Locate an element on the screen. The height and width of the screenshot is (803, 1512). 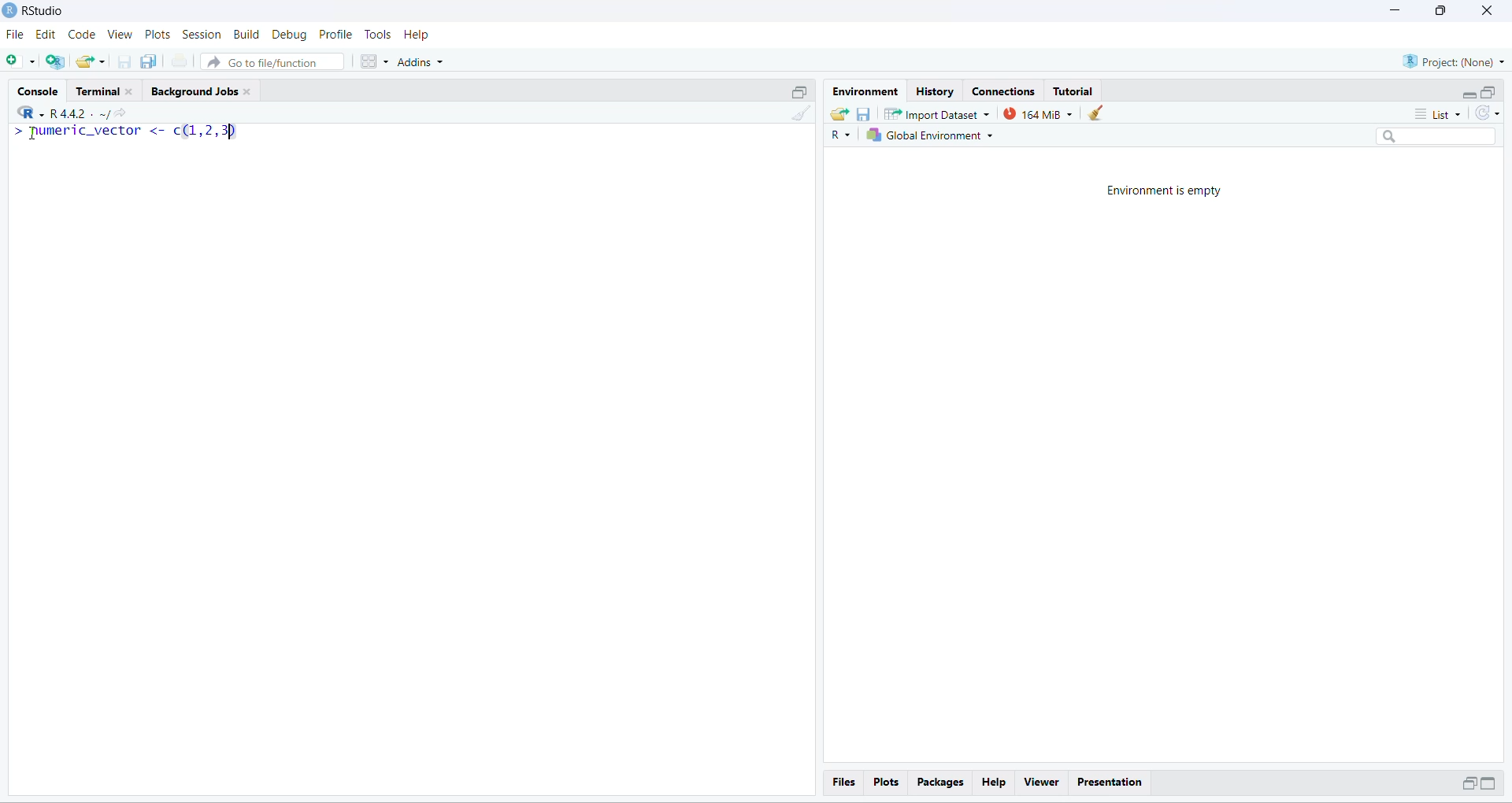
Console is located at coordinates (37, 89).